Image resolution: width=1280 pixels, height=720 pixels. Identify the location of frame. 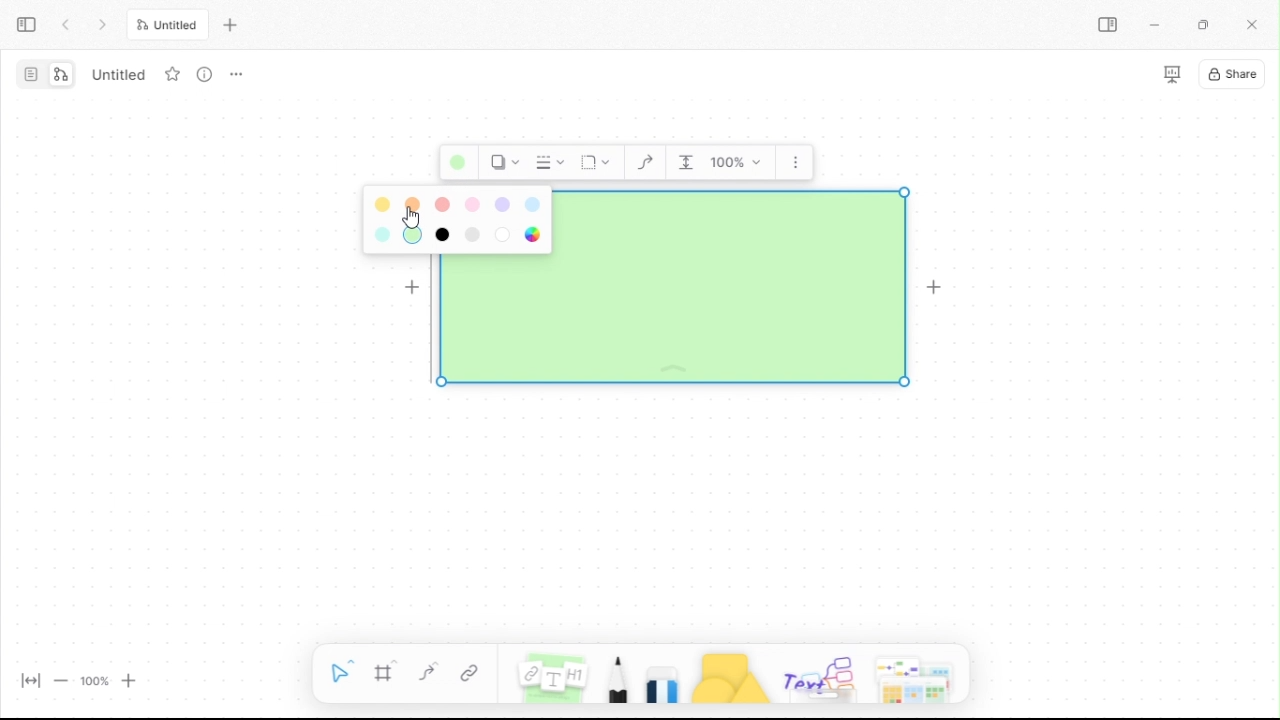
(384, 675).